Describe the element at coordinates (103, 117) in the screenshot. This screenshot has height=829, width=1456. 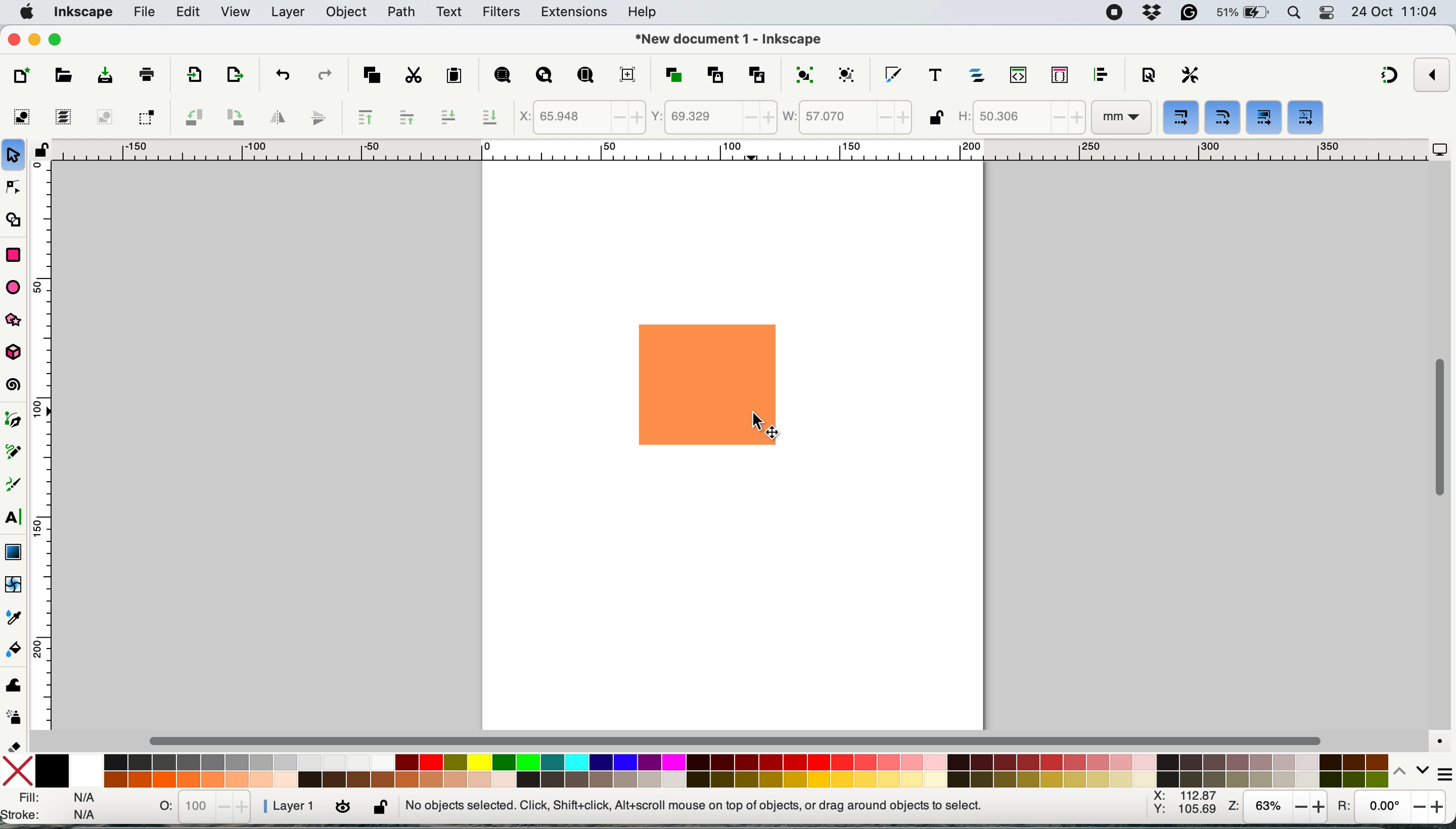
I see `deselect any selected objects` at that location.